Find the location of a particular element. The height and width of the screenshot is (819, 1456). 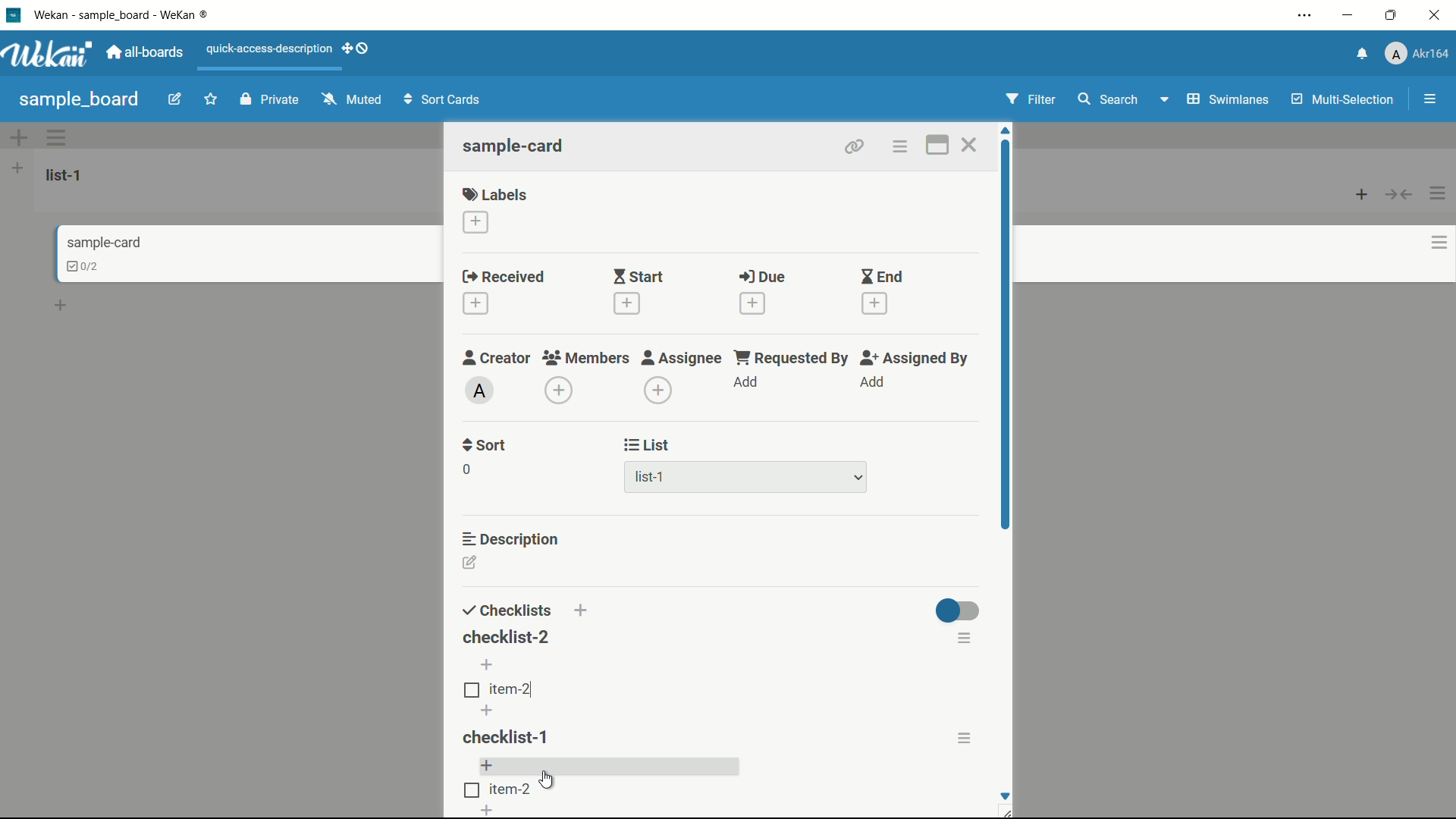

board name is located at coordinates (79, 99).